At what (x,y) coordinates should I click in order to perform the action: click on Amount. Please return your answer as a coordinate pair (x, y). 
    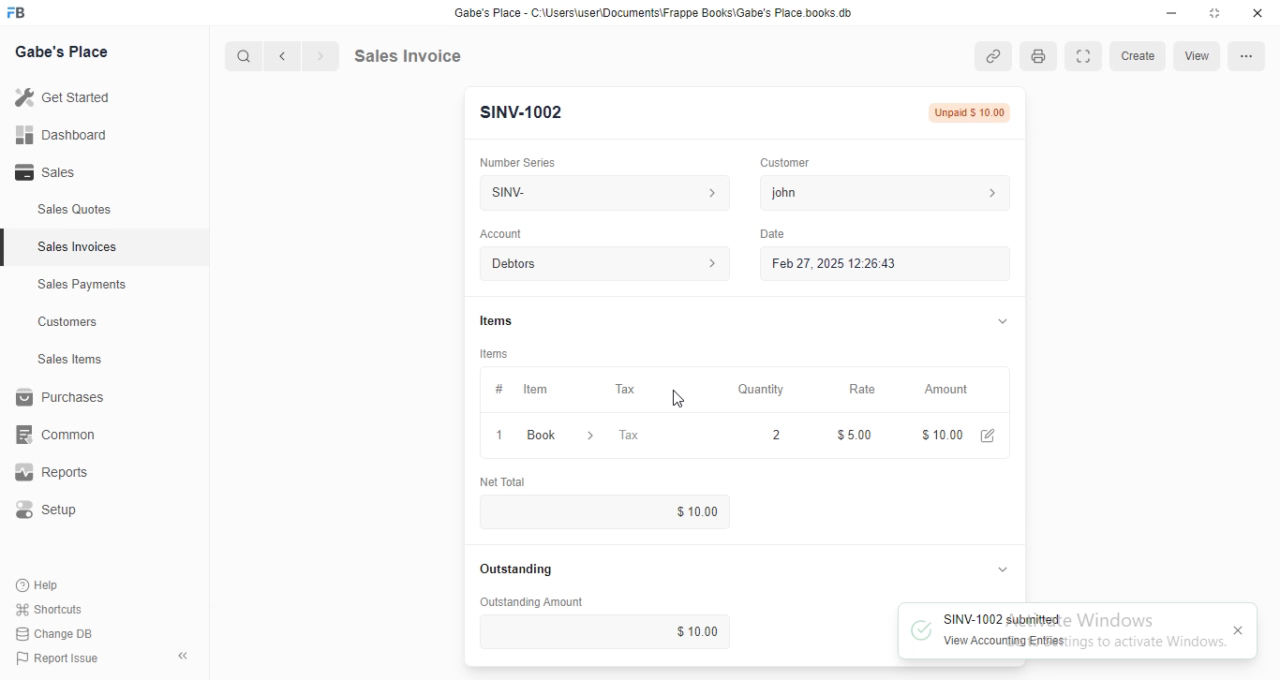
    Looking at the image, I should click on (943, 390).